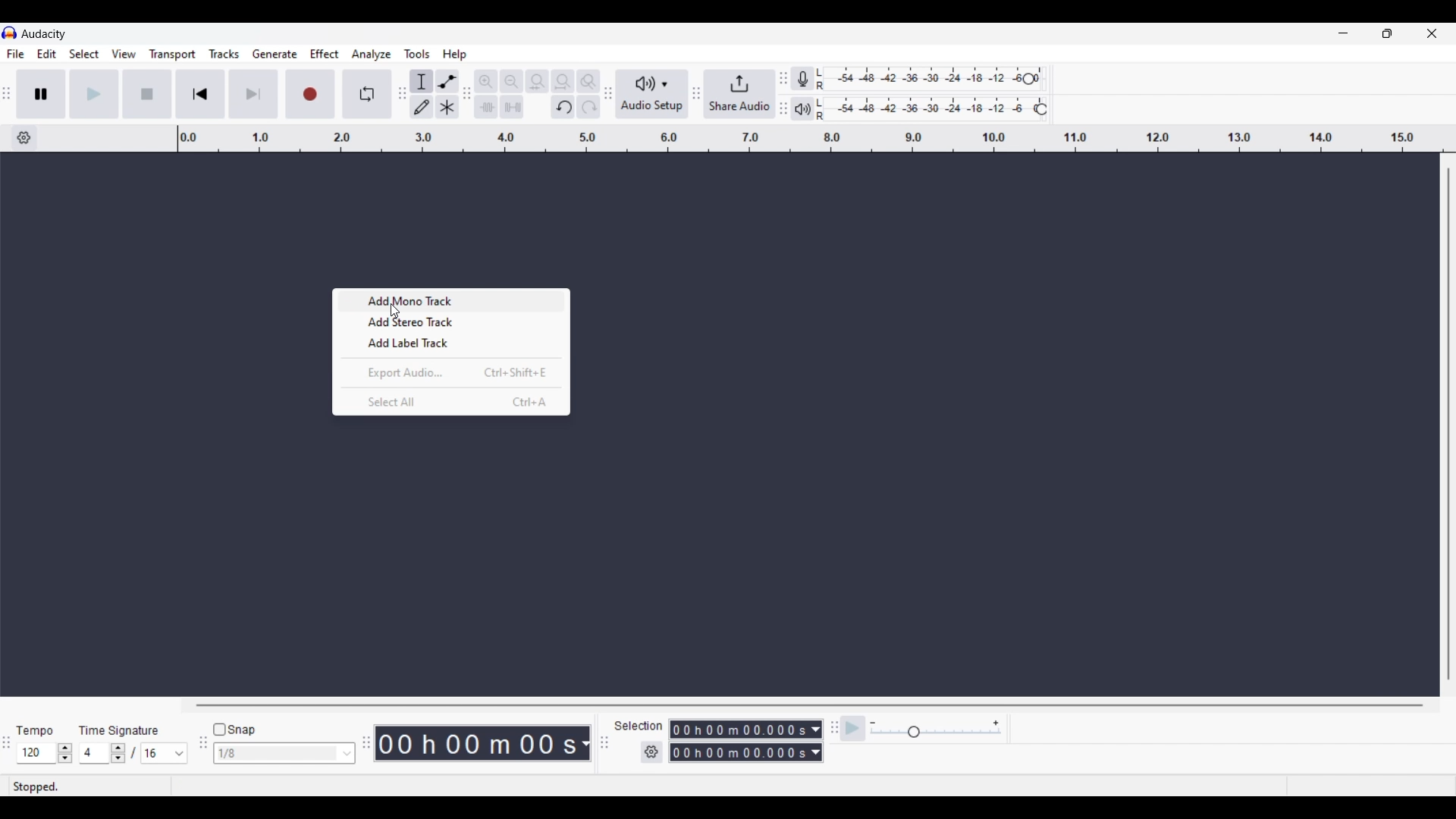 Image resolution: width=1456 pixels, height=819 pixels. I want to click on Zoom in, so click(485, 81).